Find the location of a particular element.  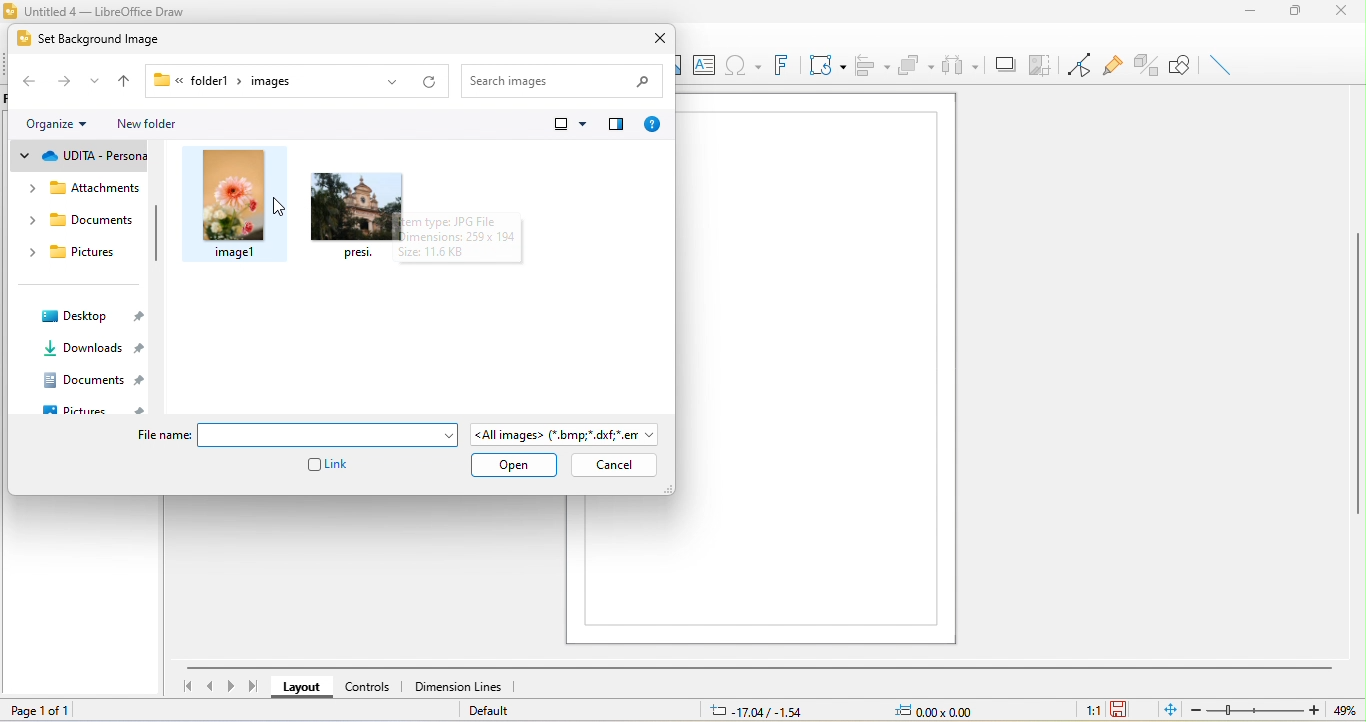

layout is located at coordinates (301, 688).